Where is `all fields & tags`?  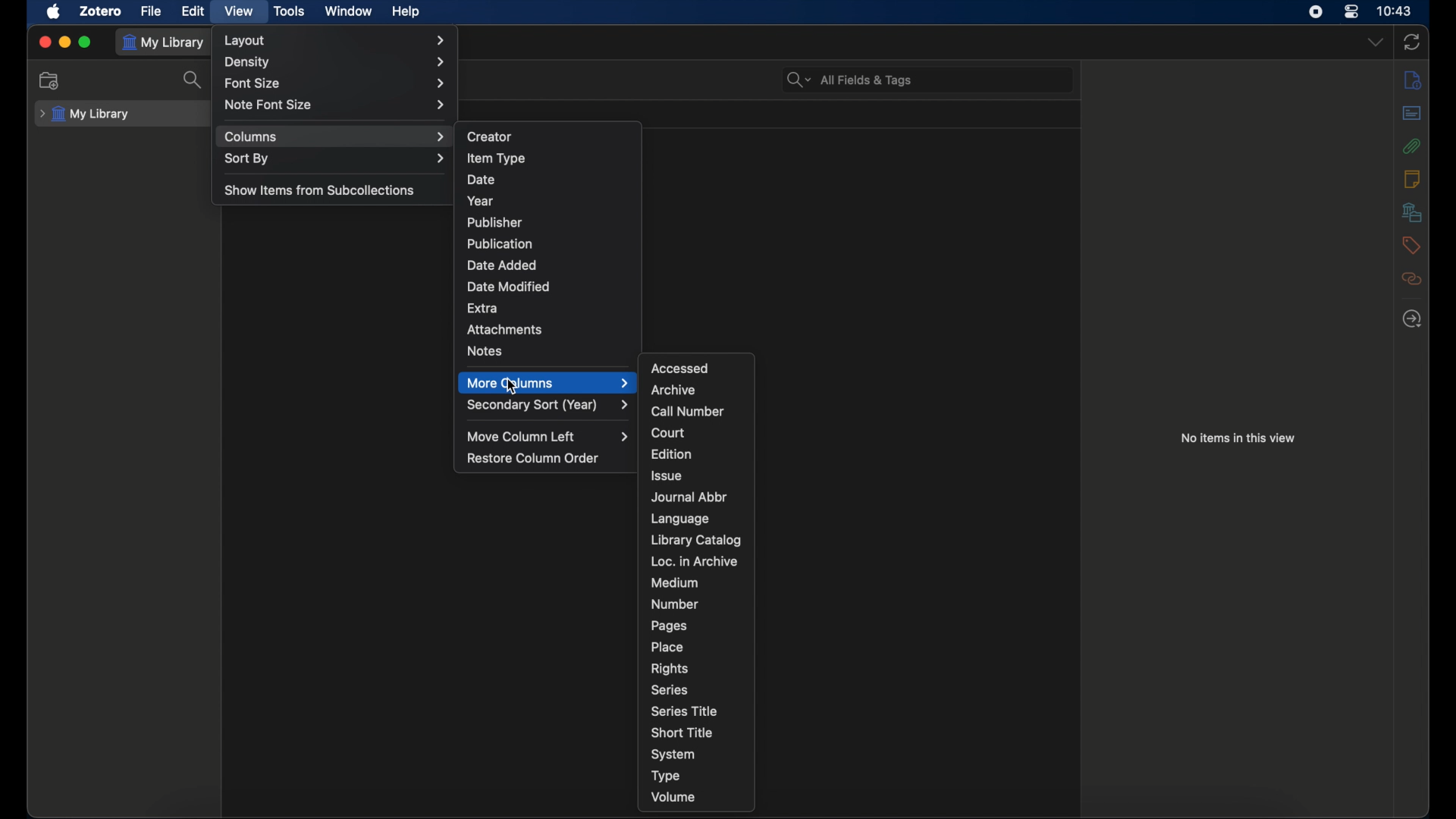 all fields & tags is located at coordinates (851, 79).